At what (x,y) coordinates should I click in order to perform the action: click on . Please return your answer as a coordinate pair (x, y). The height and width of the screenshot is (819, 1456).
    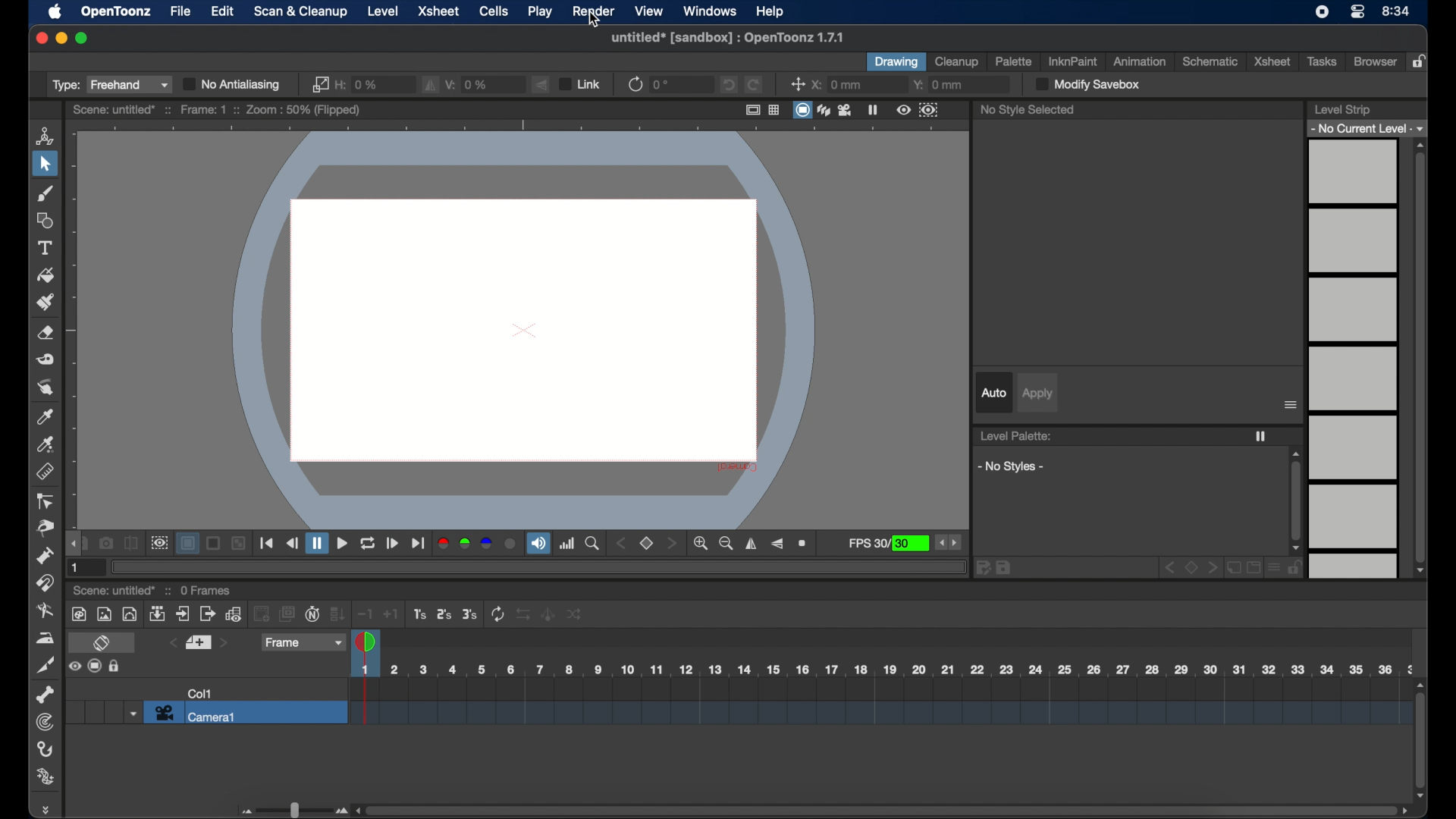
    Looking at the image, I should click on (184, 615).